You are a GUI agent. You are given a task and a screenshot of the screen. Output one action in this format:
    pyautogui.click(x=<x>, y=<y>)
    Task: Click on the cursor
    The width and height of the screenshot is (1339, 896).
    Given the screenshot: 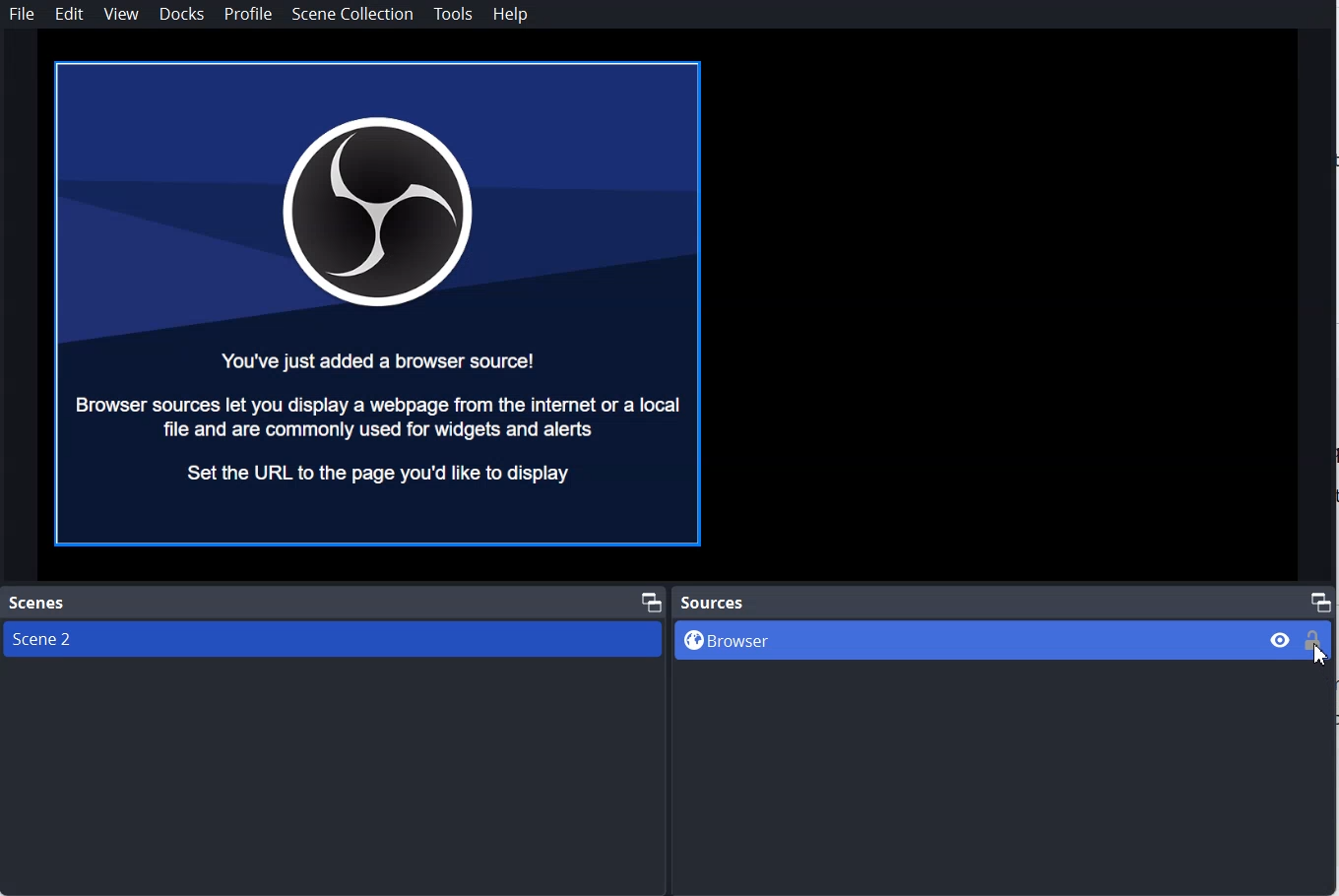 What is the action you would take?
    pyautogui.click(x=1318, y=663)
    